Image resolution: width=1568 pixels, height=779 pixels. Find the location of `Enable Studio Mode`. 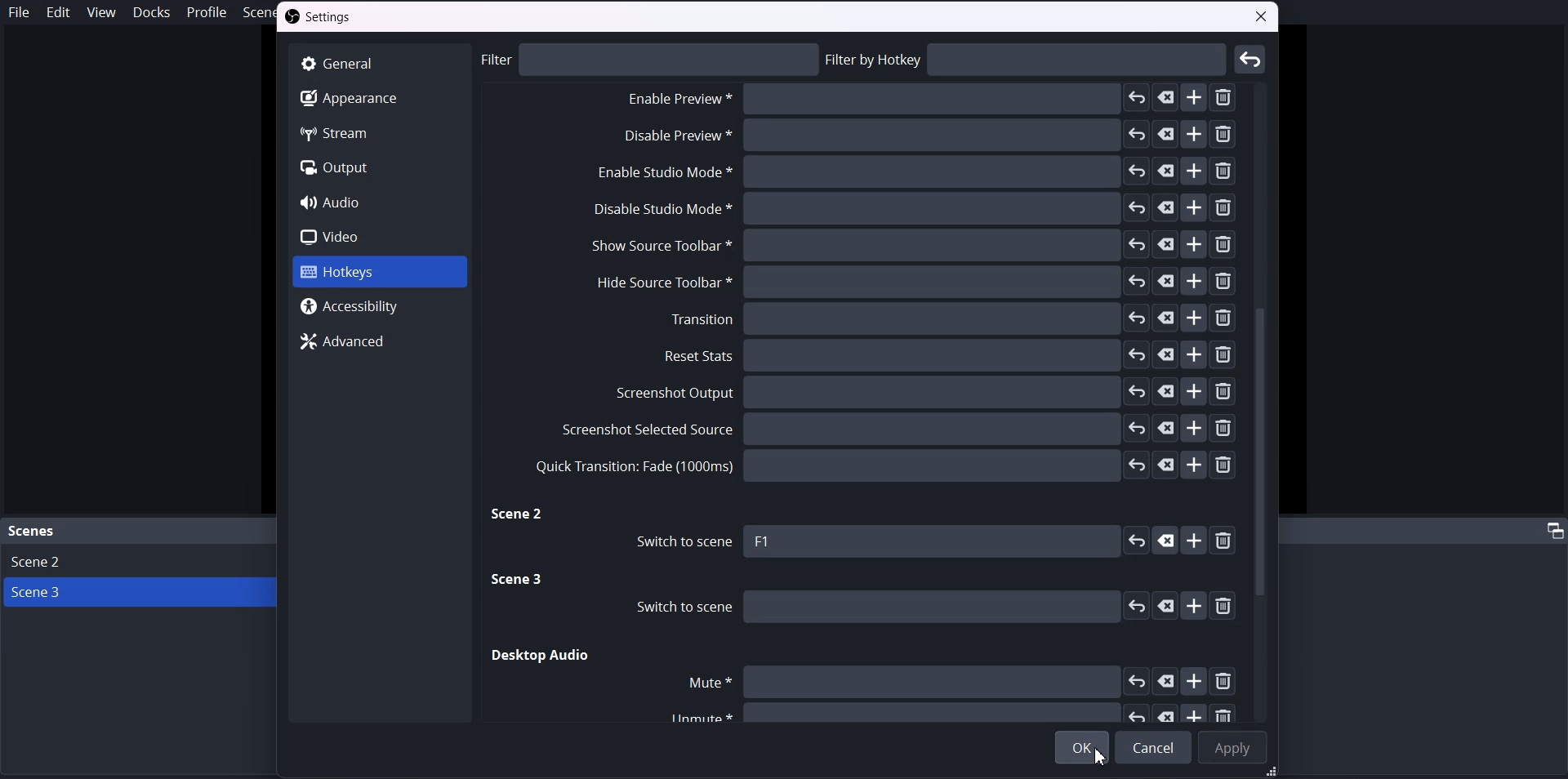

Enable Studio Mode is located at coordinates (912, 174).